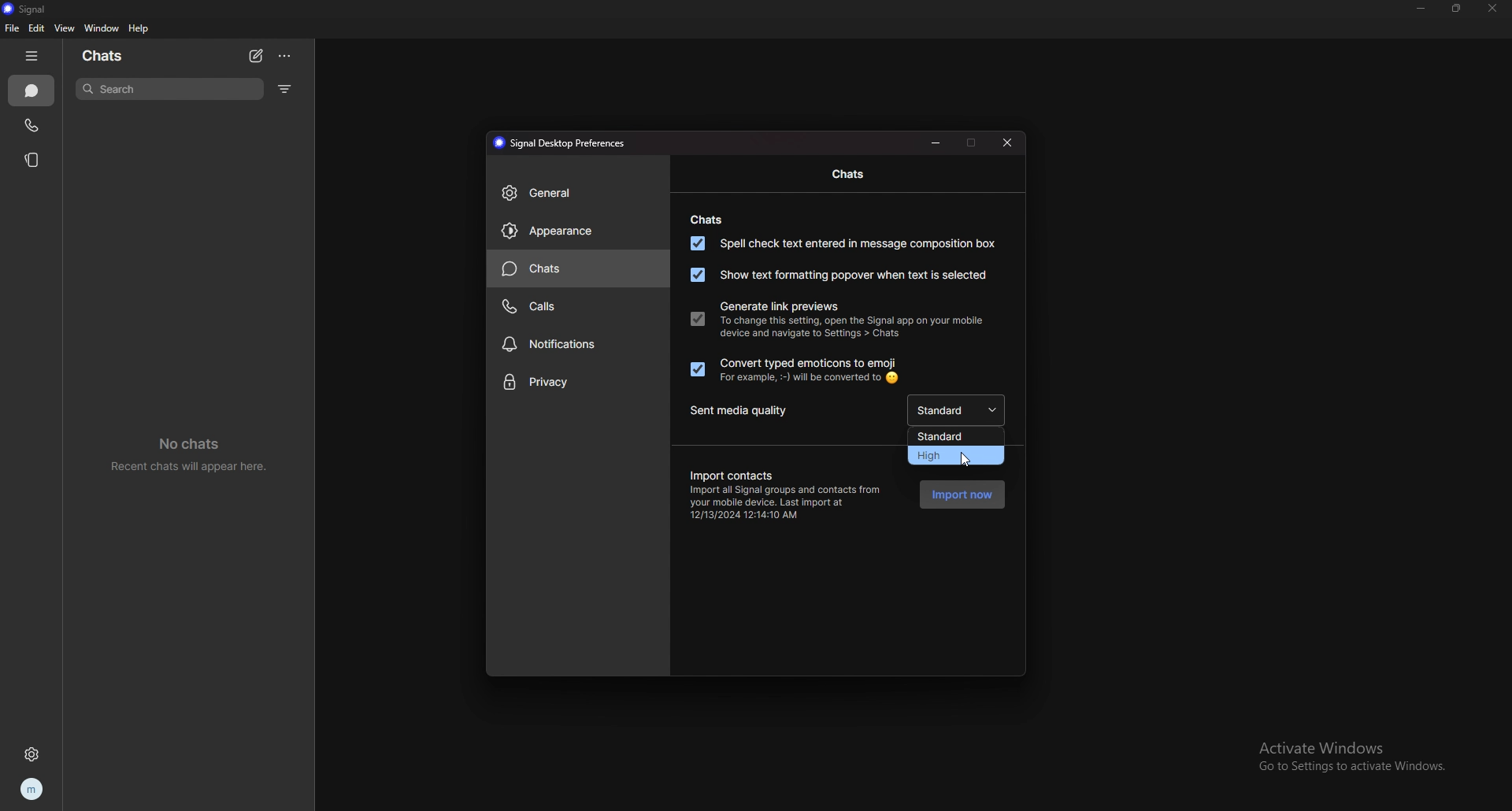 This screenshot has width=1512, height=811. I want to click on To change this setting, open the Signal app on your mobile
device and navigate to Settings > Chats, so click(854, 332).